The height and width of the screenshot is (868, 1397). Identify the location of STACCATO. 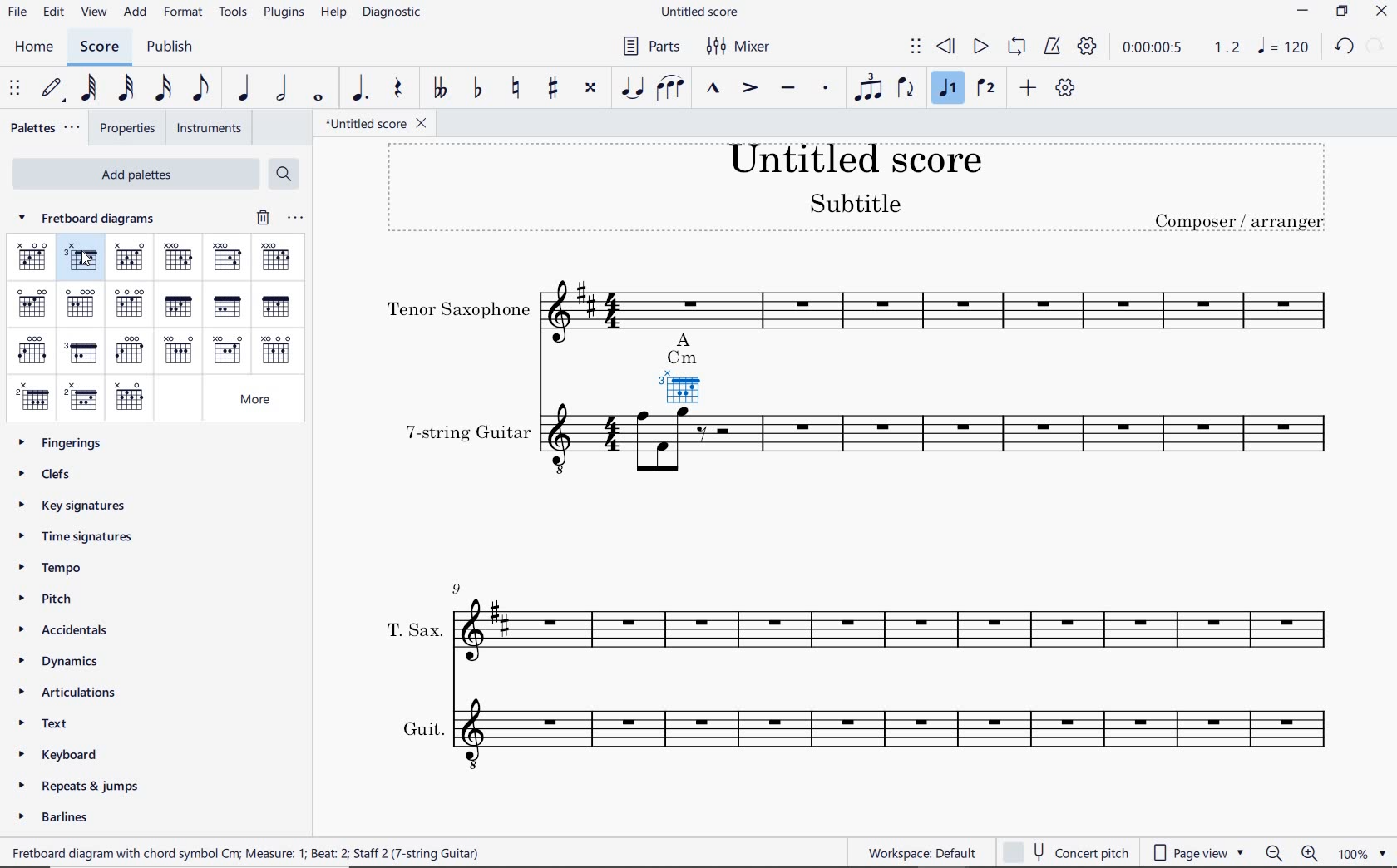
(824, 89).